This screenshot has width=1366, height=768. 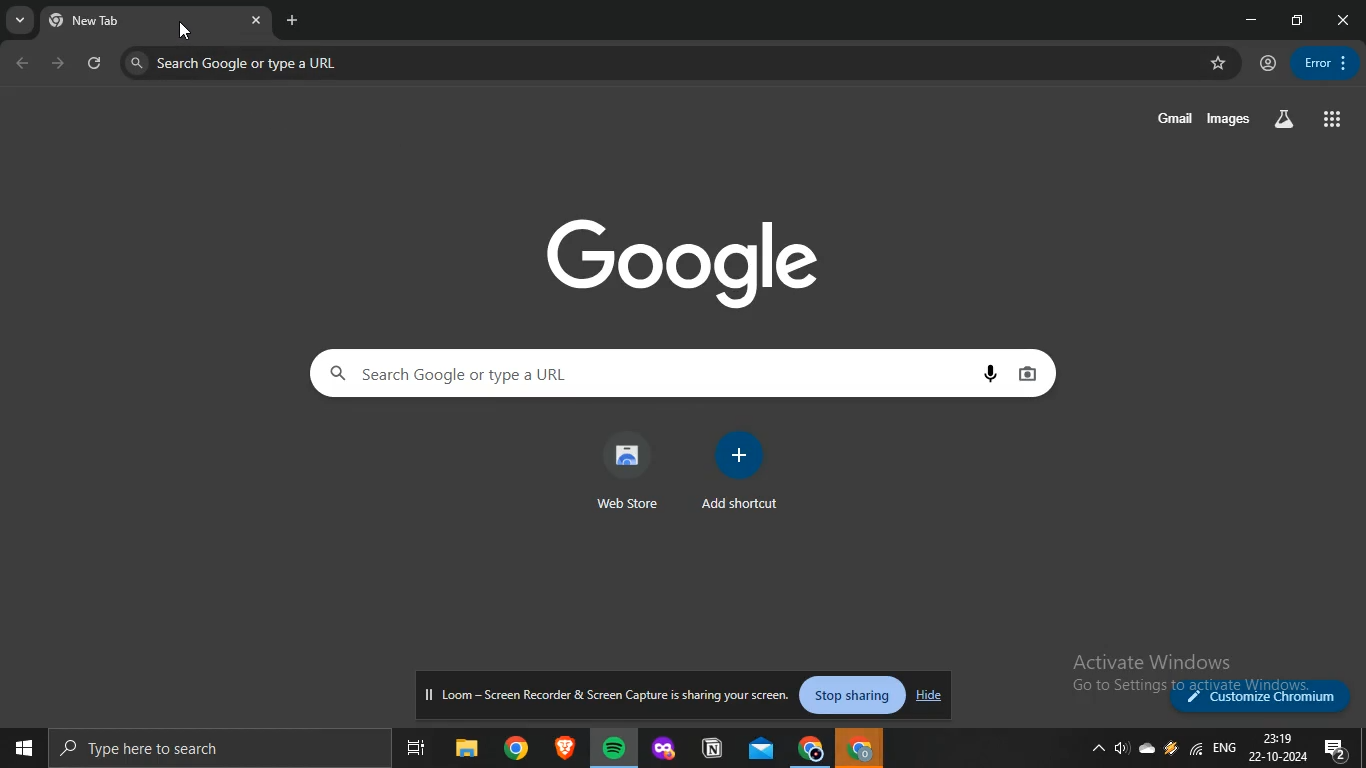 I want to click on notifications, so click(x=1335, y=749).